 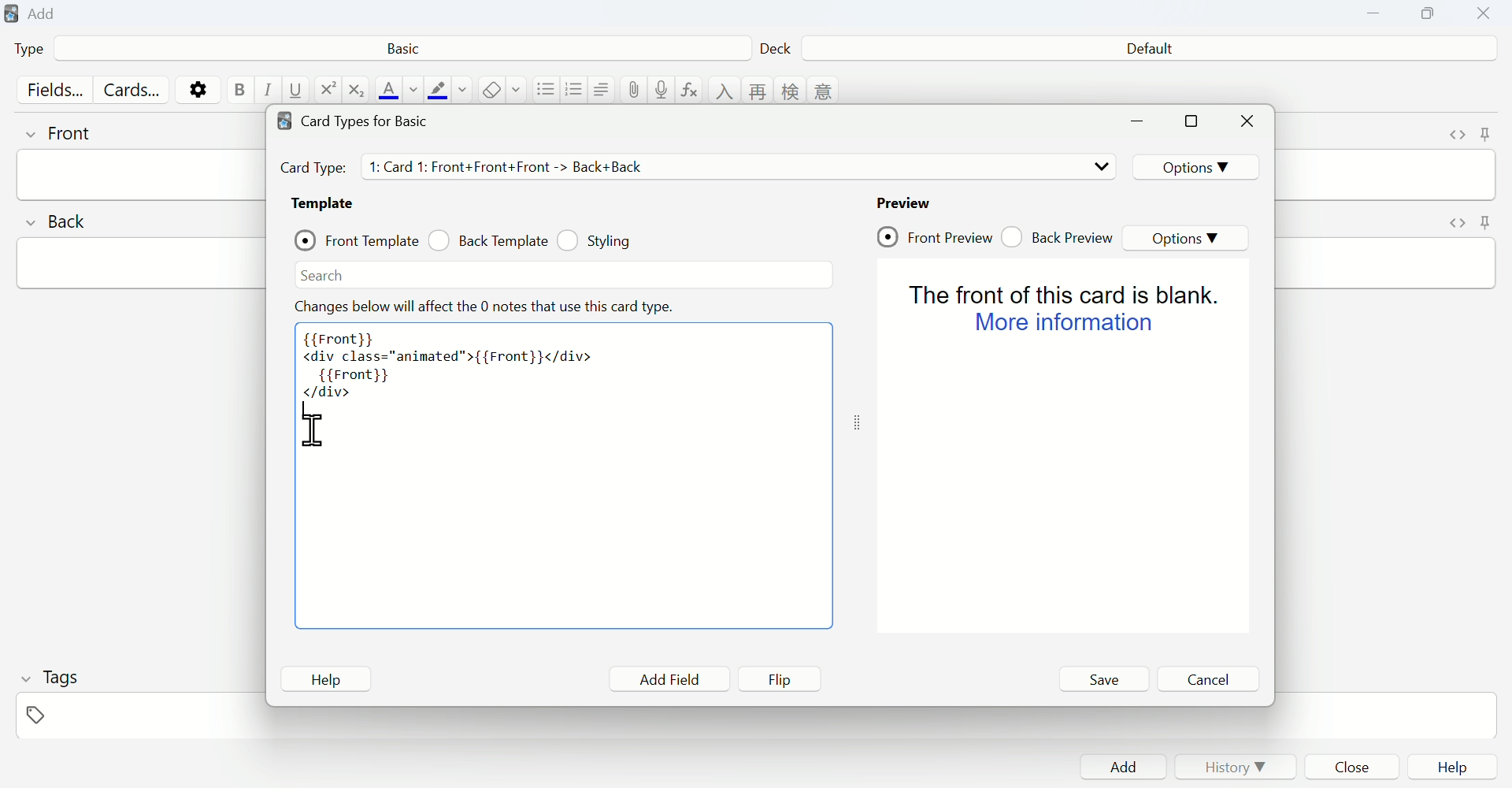 What do you see at coordinates (1104, 680) in the screenshot?
I see `Save` at bounding box center [1104, 680].